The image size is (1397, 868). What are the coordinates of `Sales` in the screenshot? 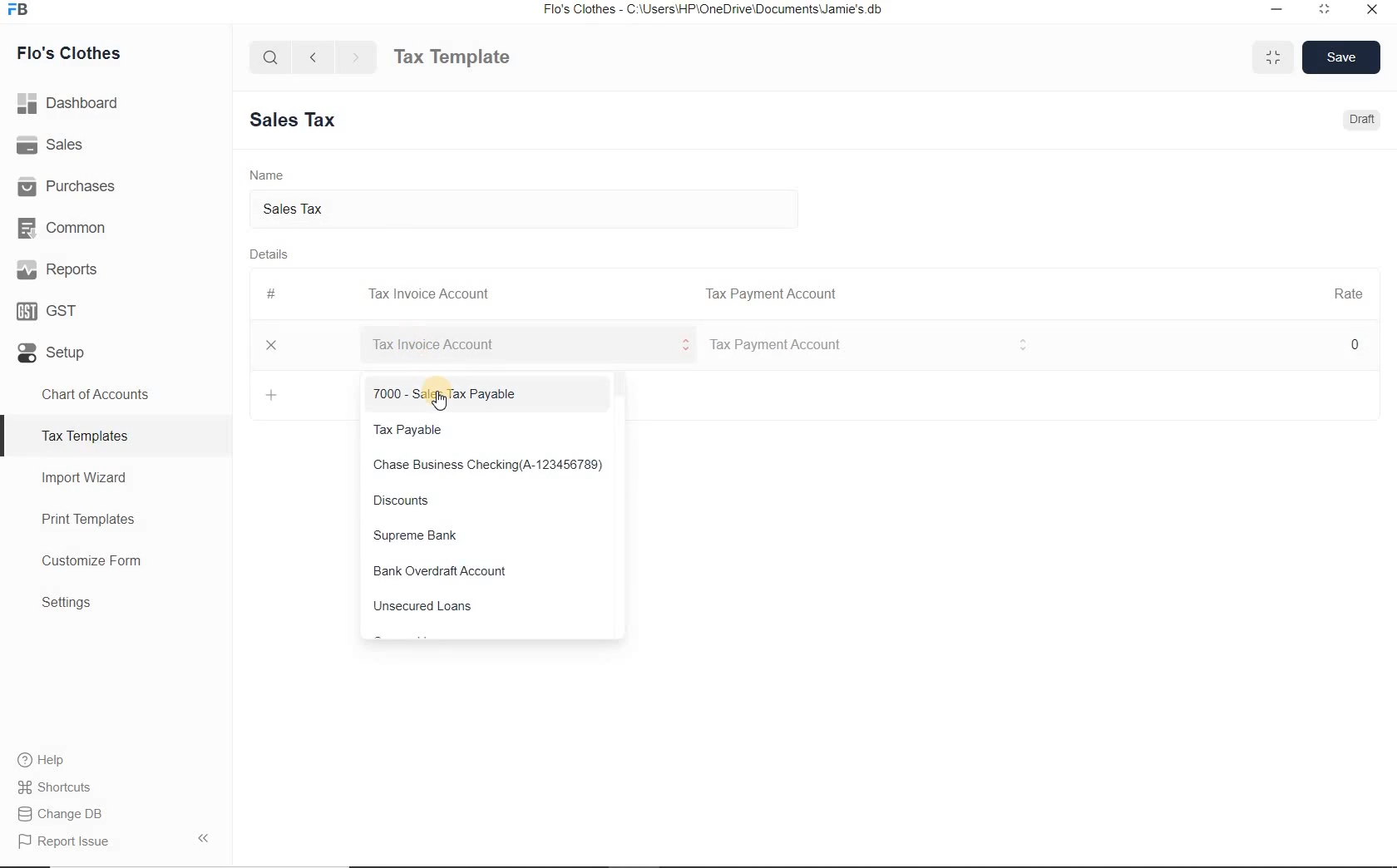 It's located at (116, 144).